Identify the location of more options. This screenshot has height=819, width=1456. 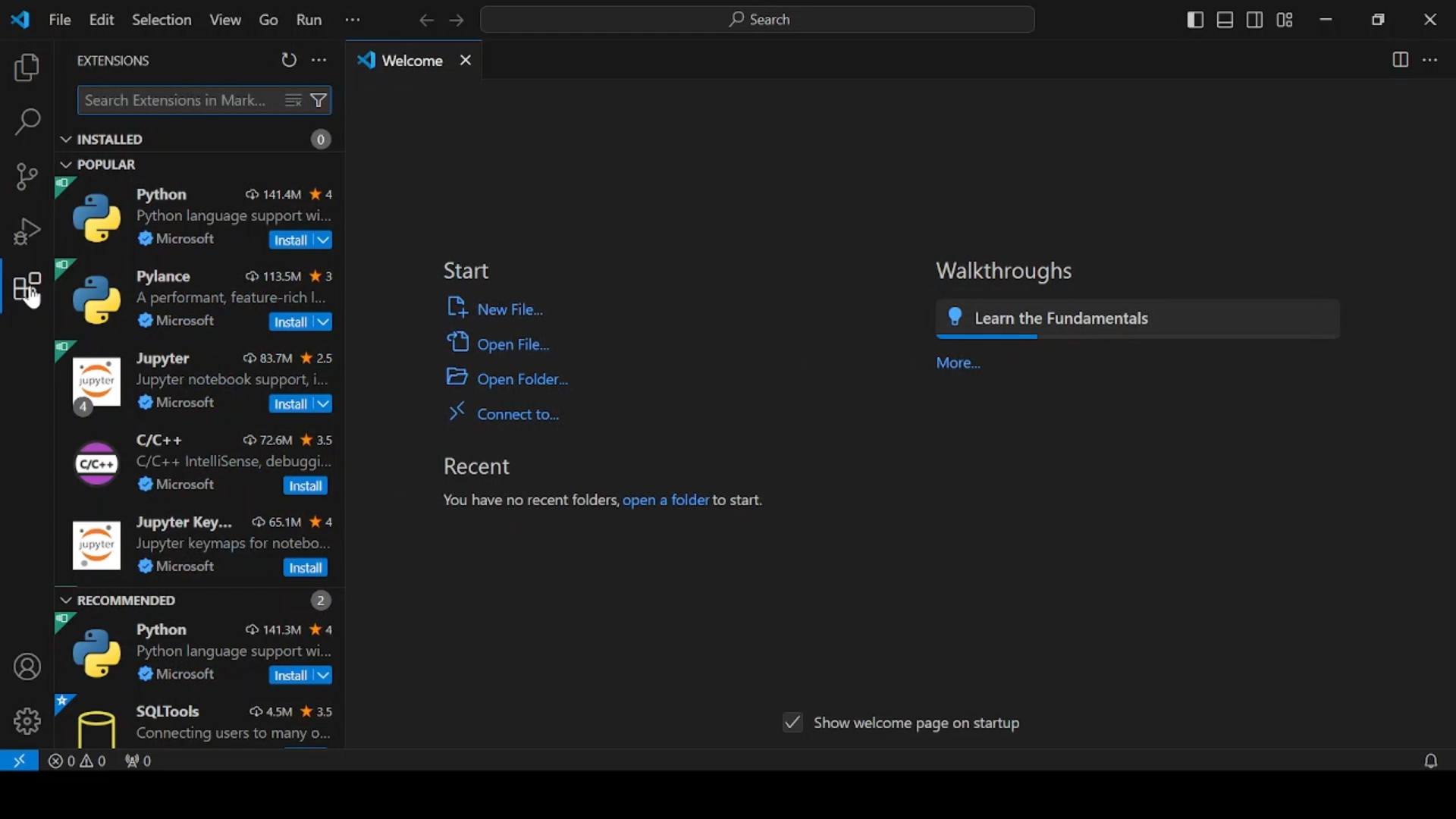
(352, 21).